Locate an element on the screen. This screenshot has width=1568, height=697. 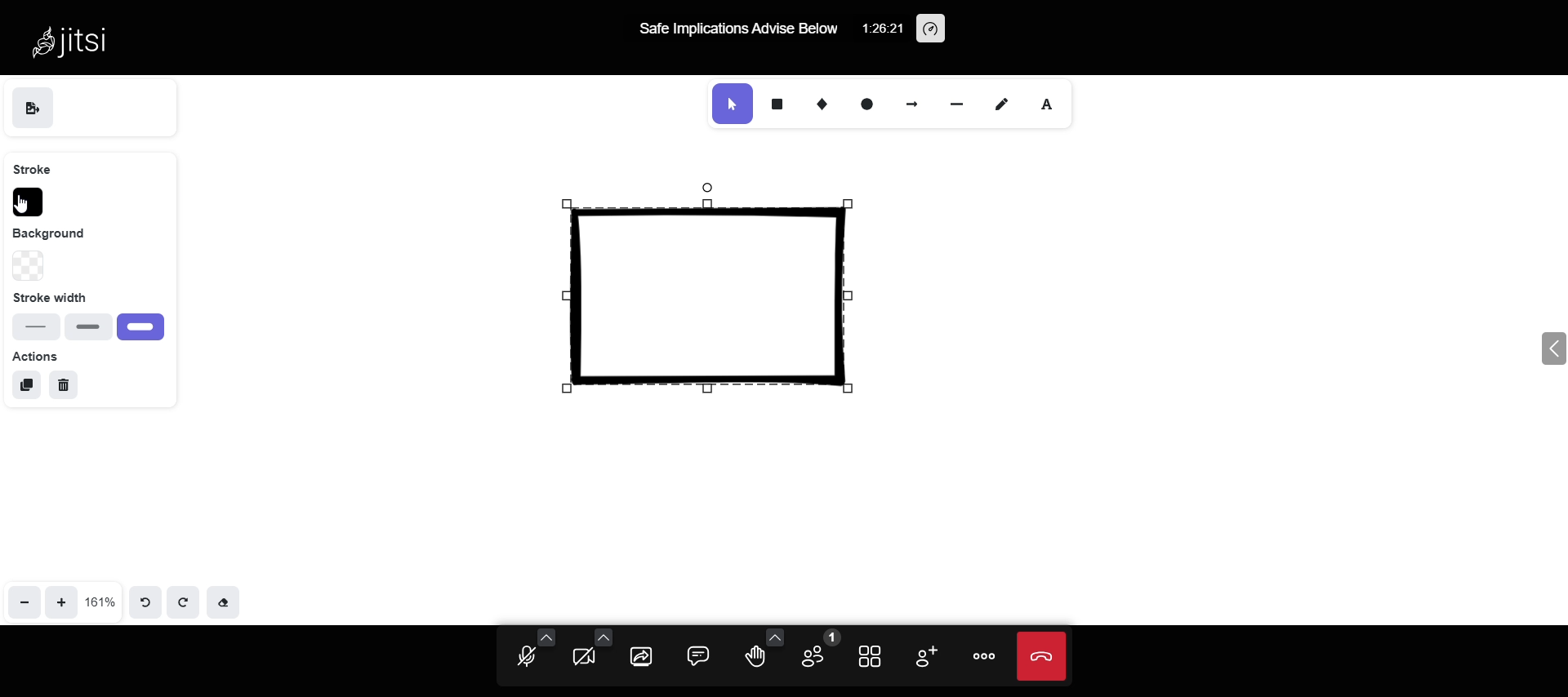
participants is located at coordinates (819, 650).